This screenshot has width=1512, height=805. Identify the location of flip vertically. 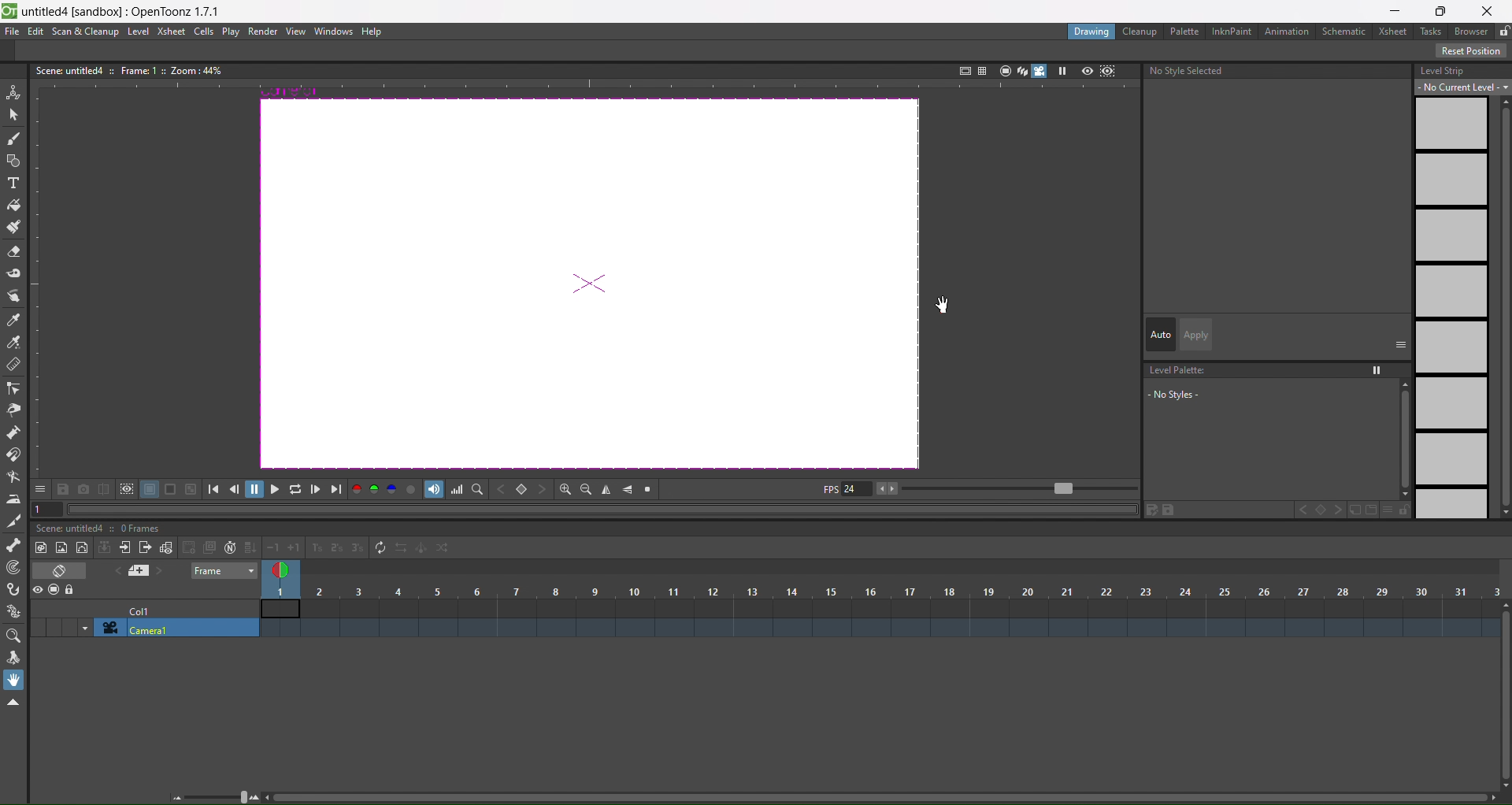
(630, 488).